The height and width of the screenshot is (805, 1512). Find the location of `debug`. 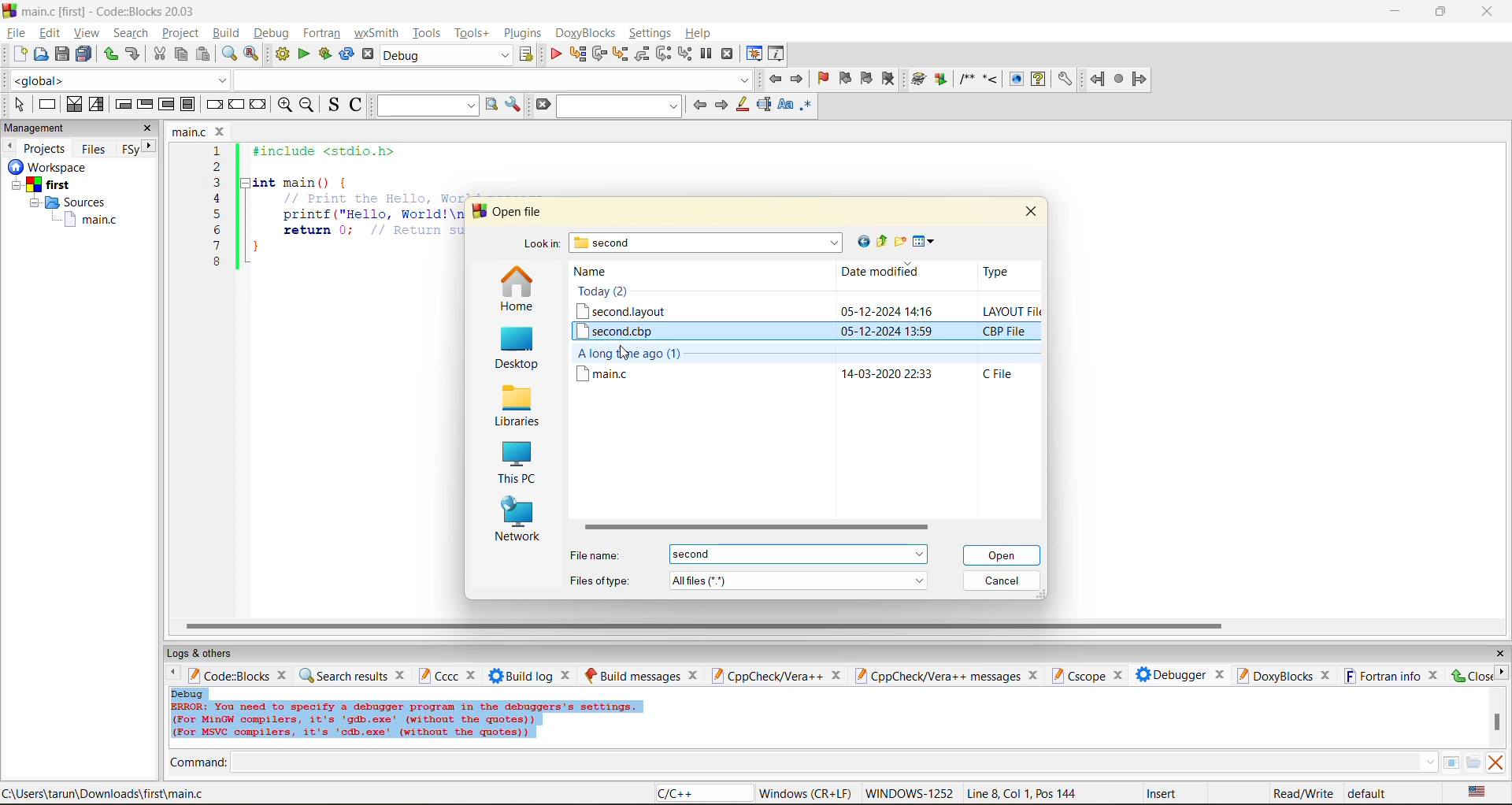

debug is located at coordinates (188, 693).